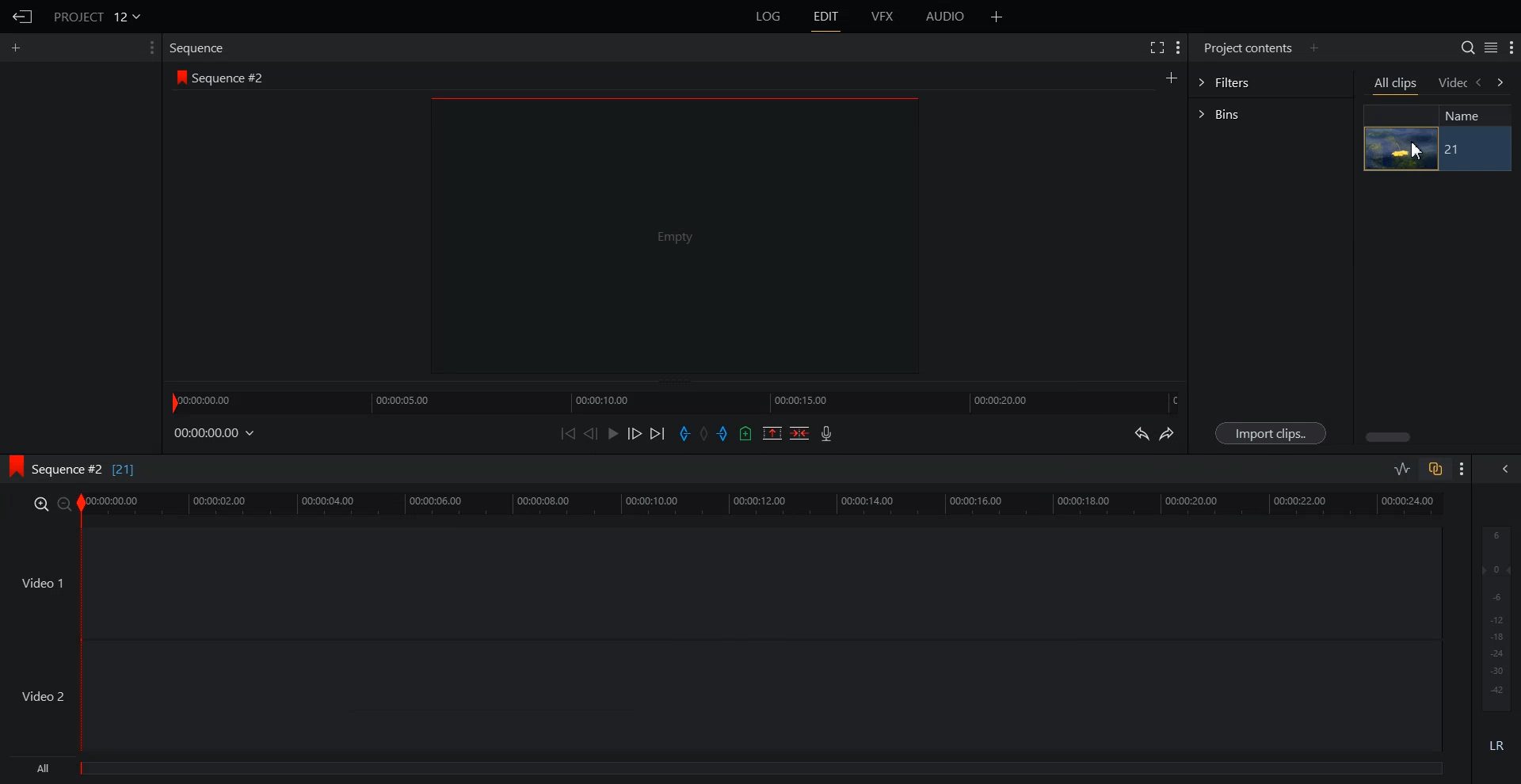  I want to click on Audio Output level, so click(1494, 618).